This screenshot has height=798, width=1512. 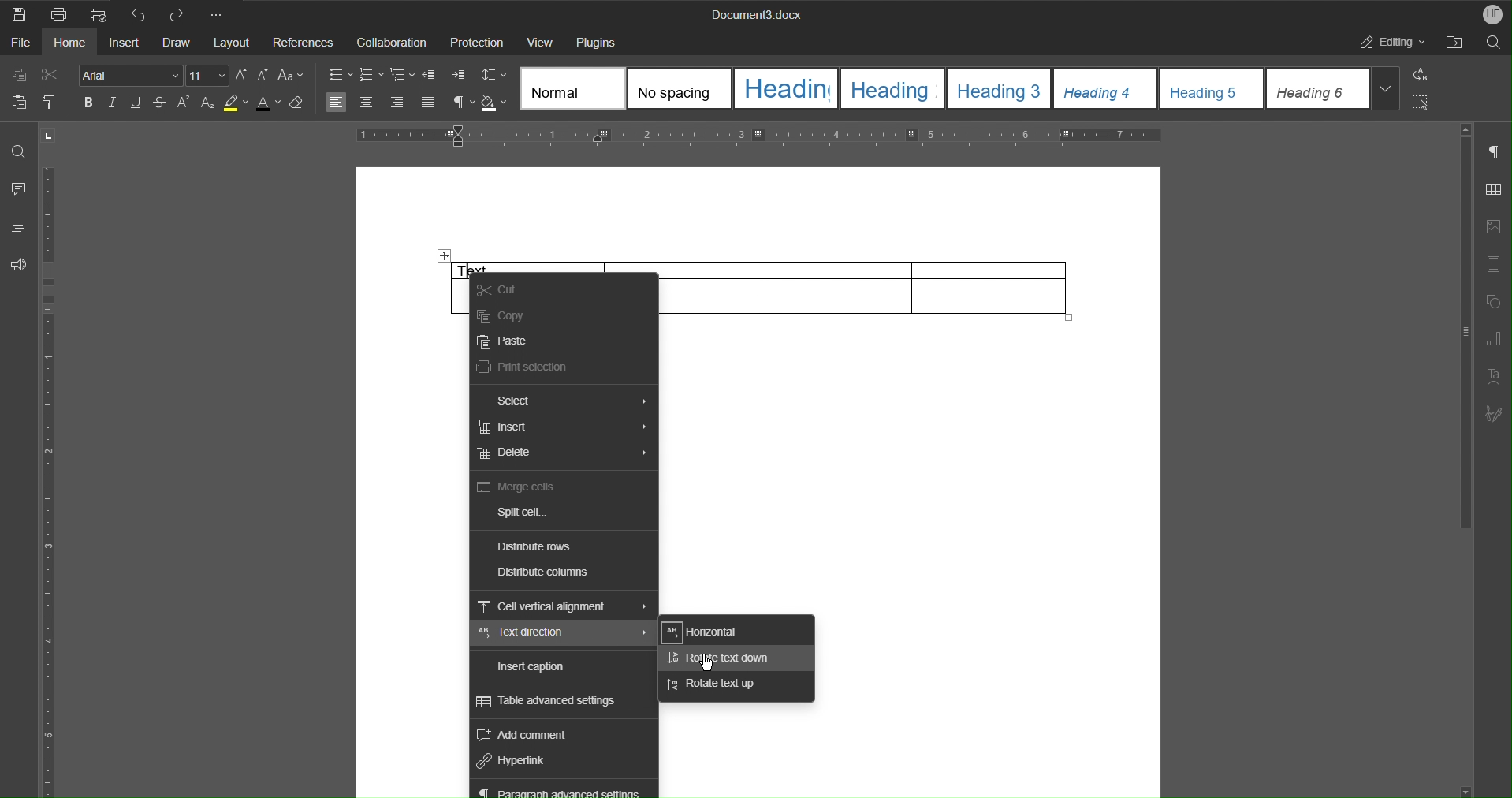 I want to click on Numbering, so click(x=371, y=76).